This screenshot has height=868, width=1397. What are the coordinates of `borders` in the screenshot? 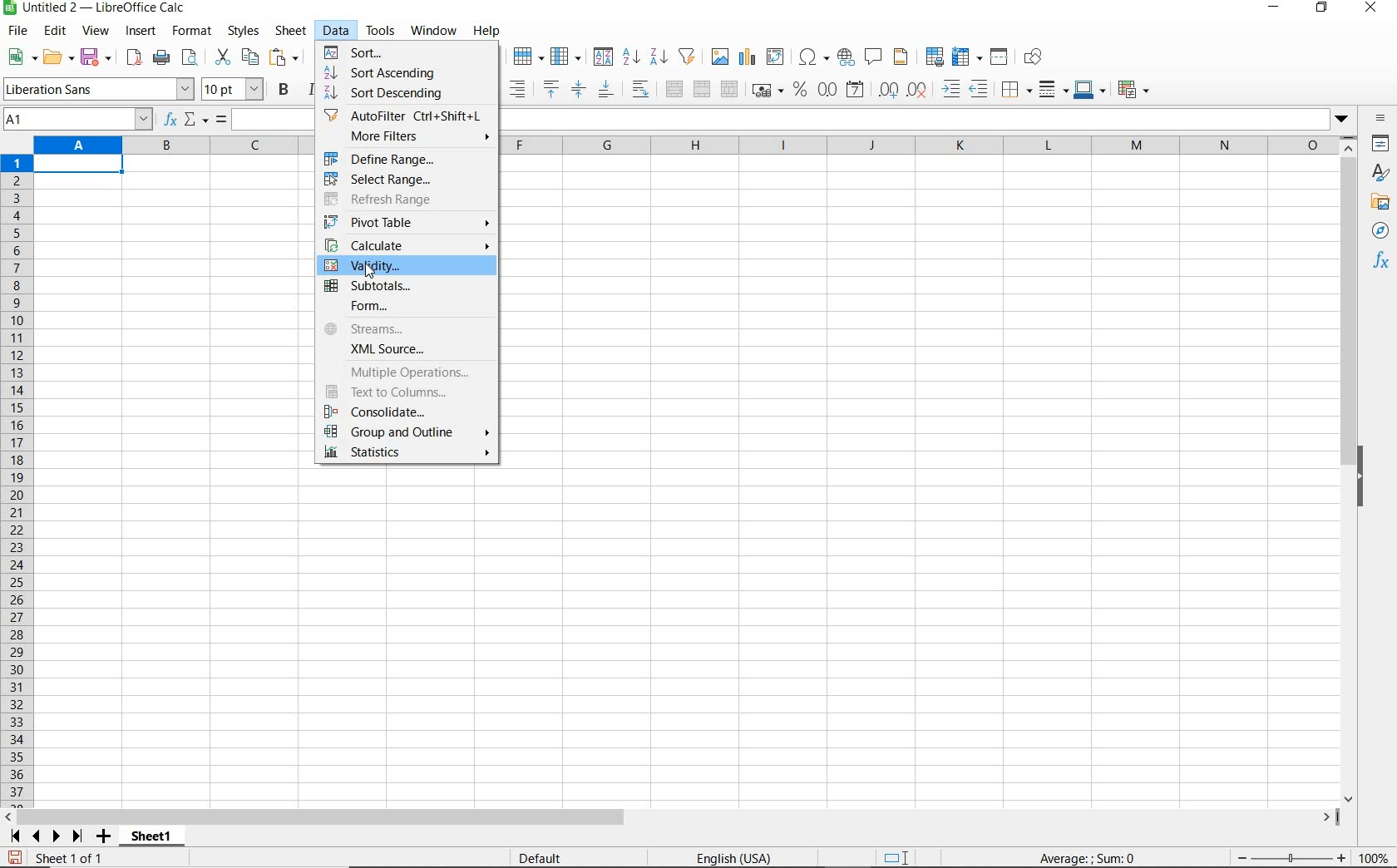 It's located at (1017, 90).